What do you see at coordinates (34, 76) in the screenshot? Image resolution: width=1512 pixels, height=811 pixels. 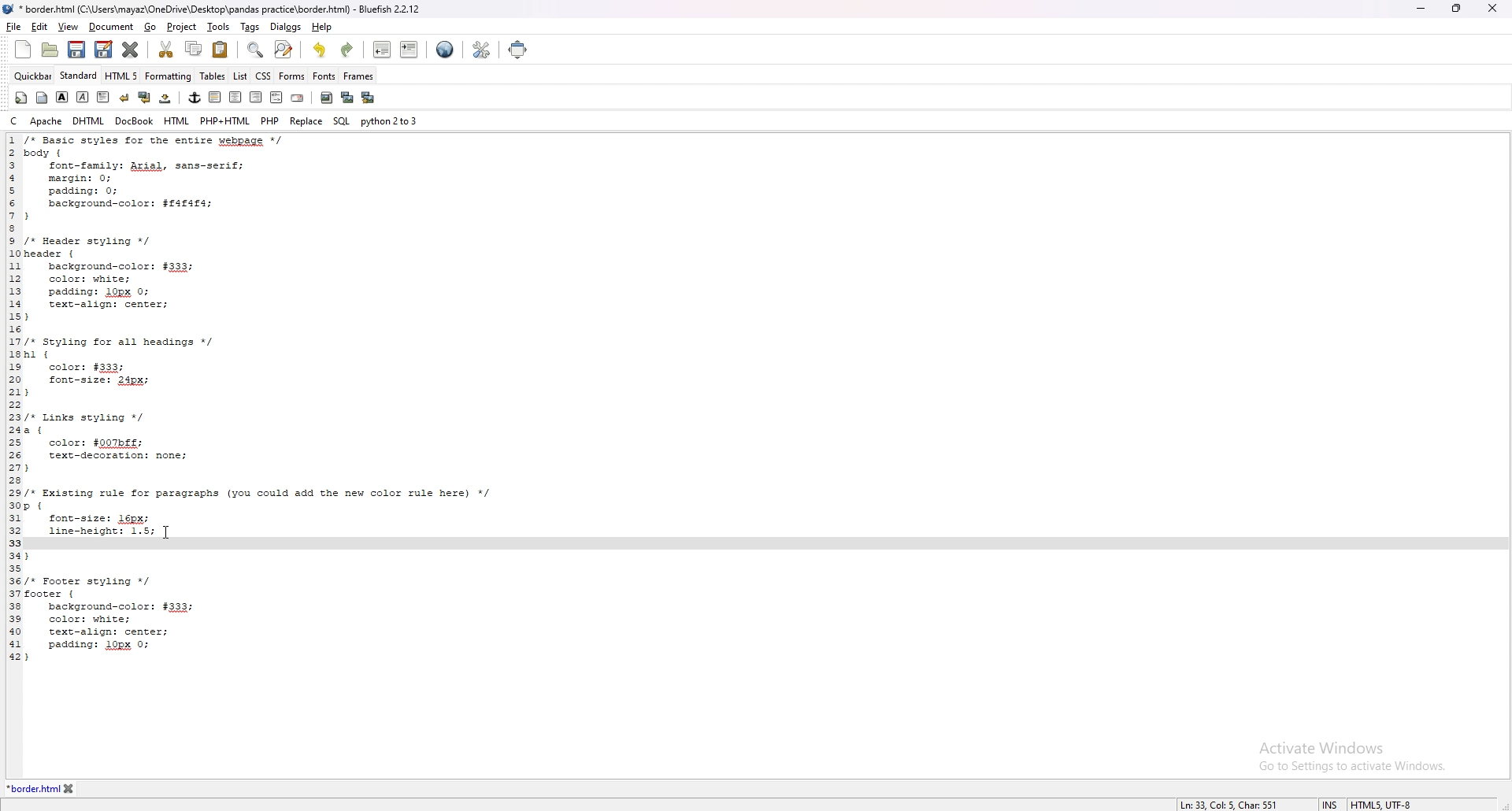 I see `quickbar` at bounding box center [34, 76].